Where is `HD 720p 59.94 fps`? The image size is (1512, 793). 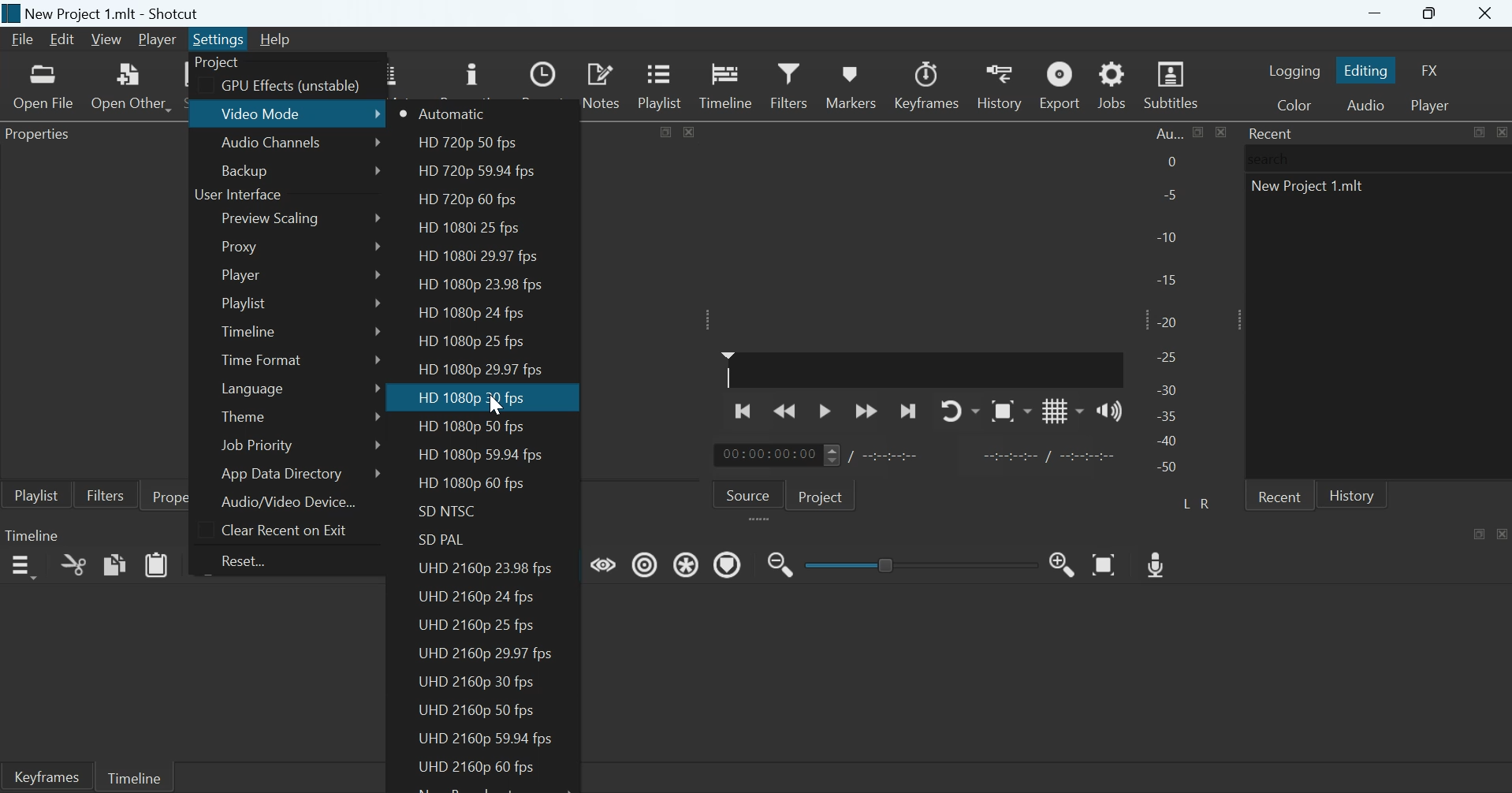 HD 720p 59.94 fps is located at coordinates (475, 172).